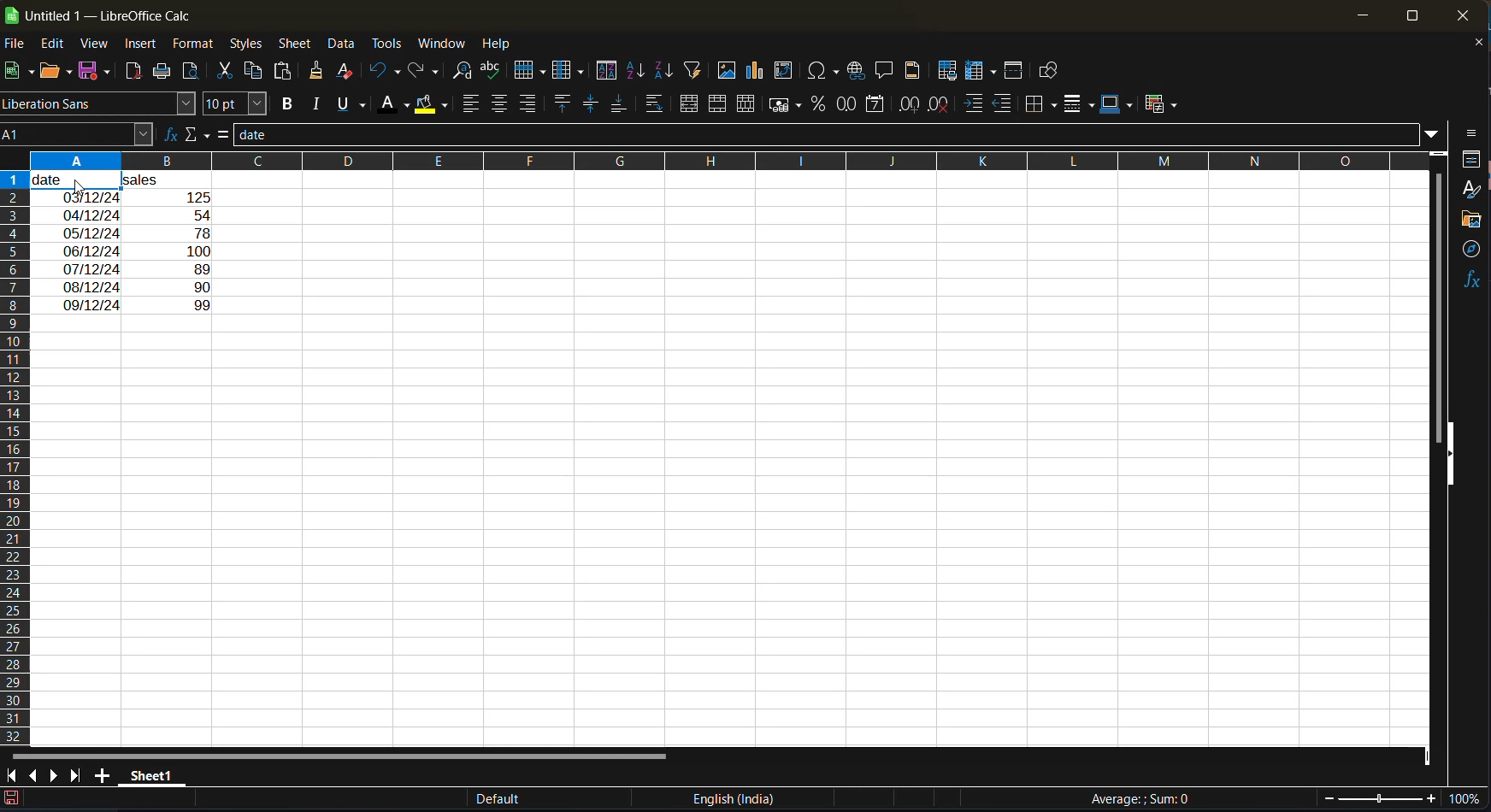  What do you see at coordinates (17, 44) in the screenshot?
I see `file` at bounding box center [17, 44].